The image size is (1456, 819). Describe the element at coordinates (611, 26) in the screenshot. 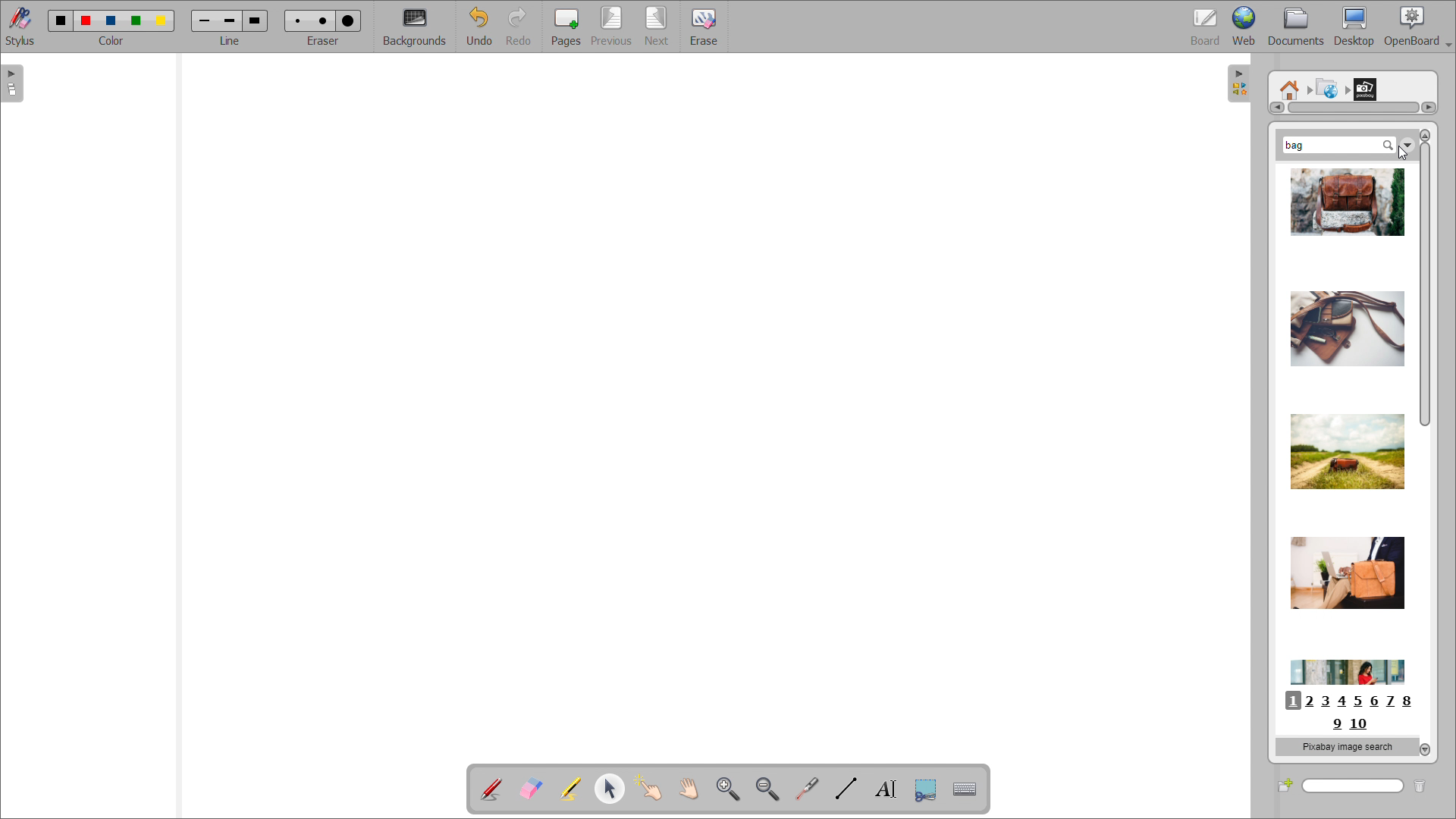

I see `previous page` at that location.